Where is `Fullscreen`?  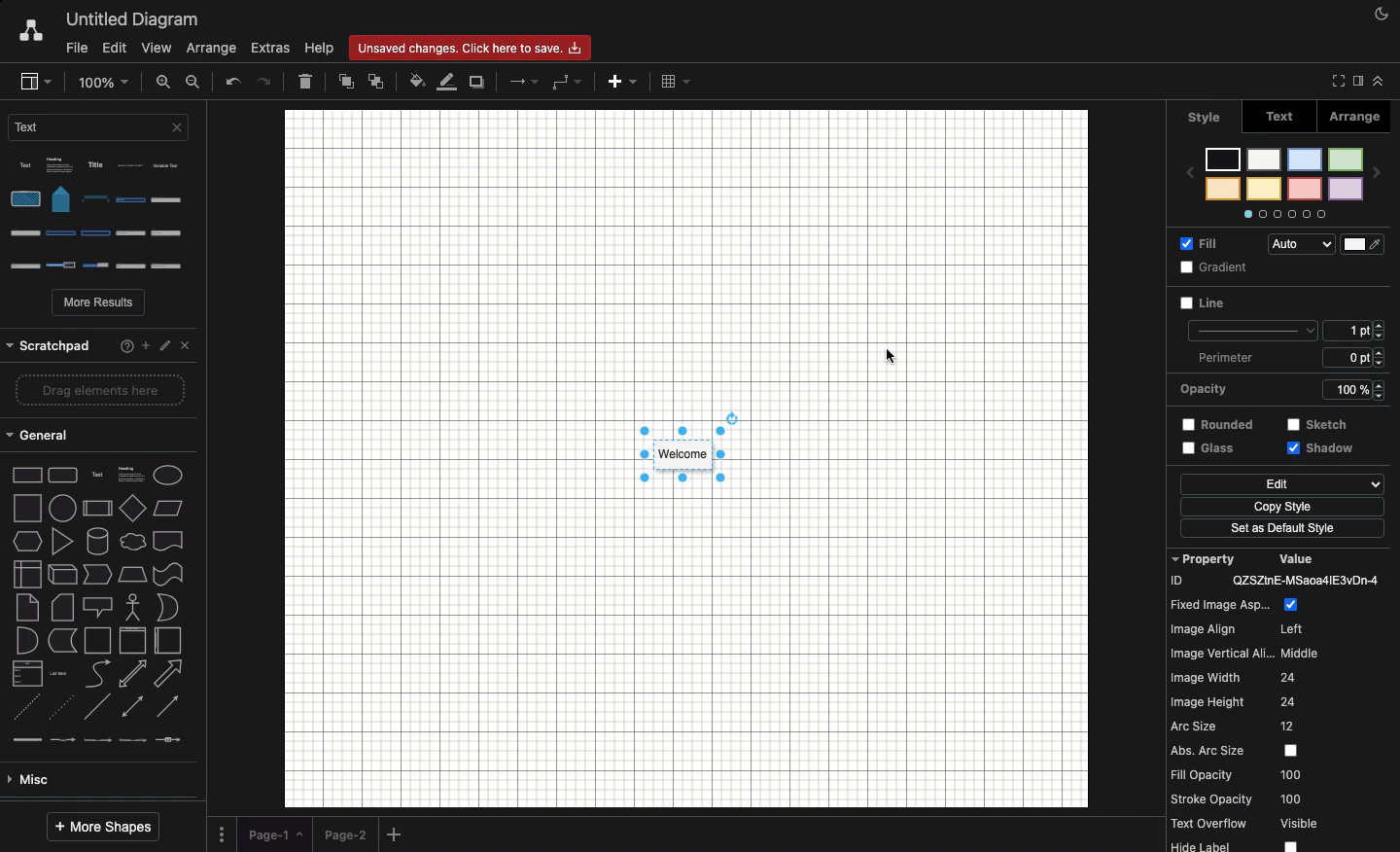
Fullscreen is located at coordinates (1335, 81).